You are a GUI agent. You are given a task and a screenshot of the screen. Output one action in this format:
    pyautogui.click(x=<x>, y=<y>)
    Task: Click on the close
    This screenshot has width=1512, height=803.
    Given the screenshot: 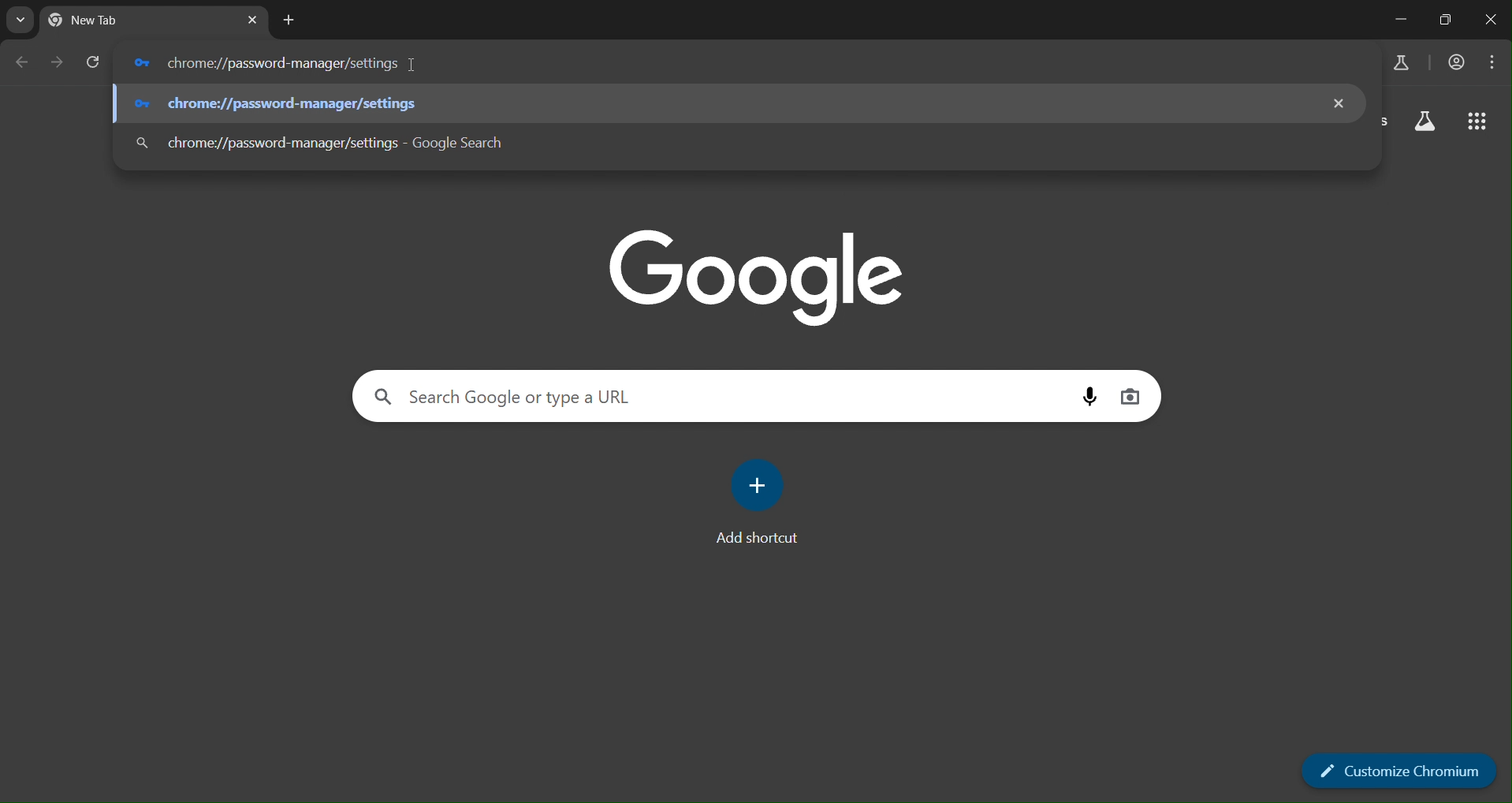 What is the action you would take?
    pyautogui.click(x=1492, y=21)
    